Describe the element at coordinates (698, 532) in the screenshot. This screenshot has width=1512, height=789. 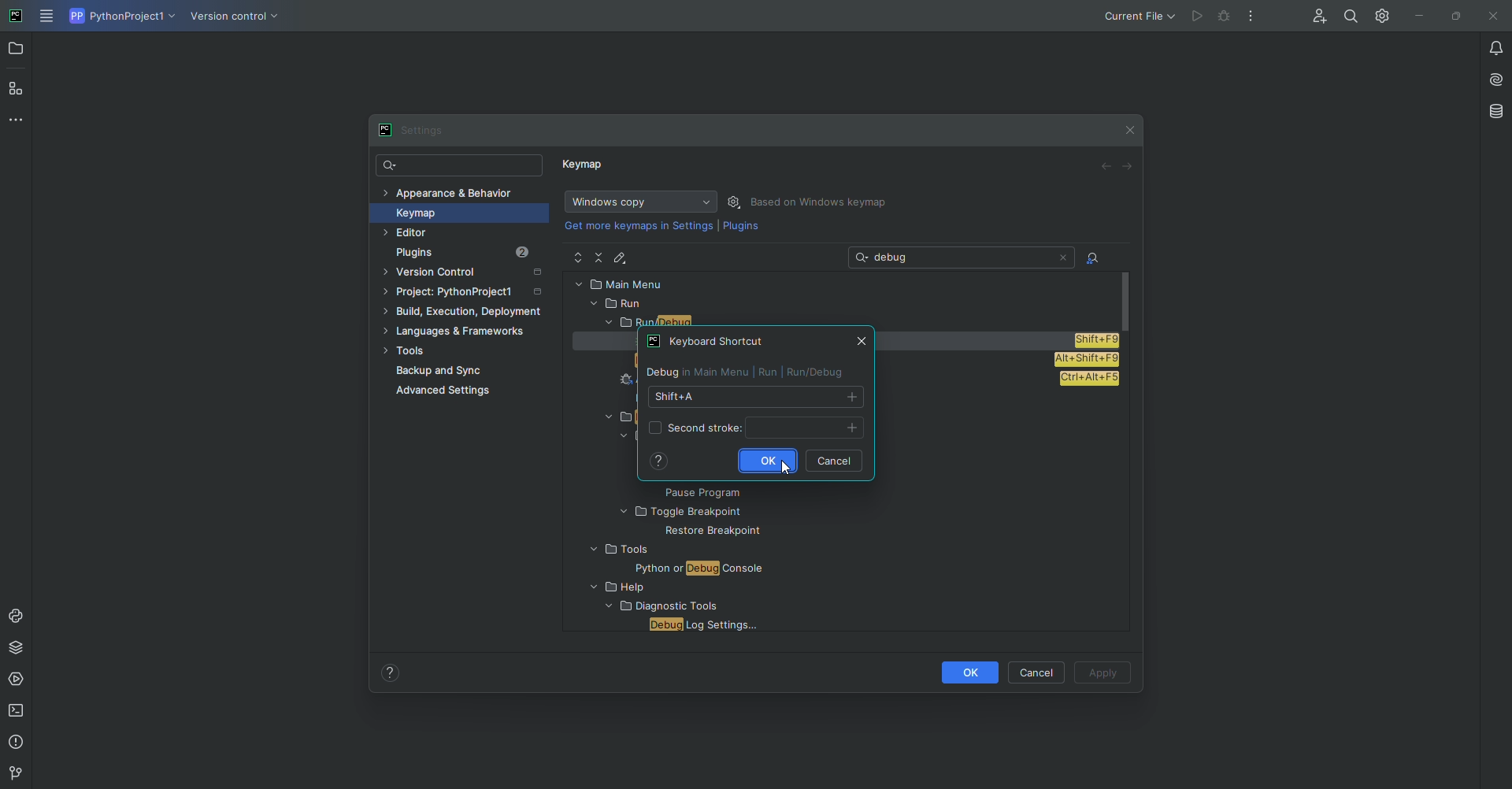
I see `FILE NAME` at that location.